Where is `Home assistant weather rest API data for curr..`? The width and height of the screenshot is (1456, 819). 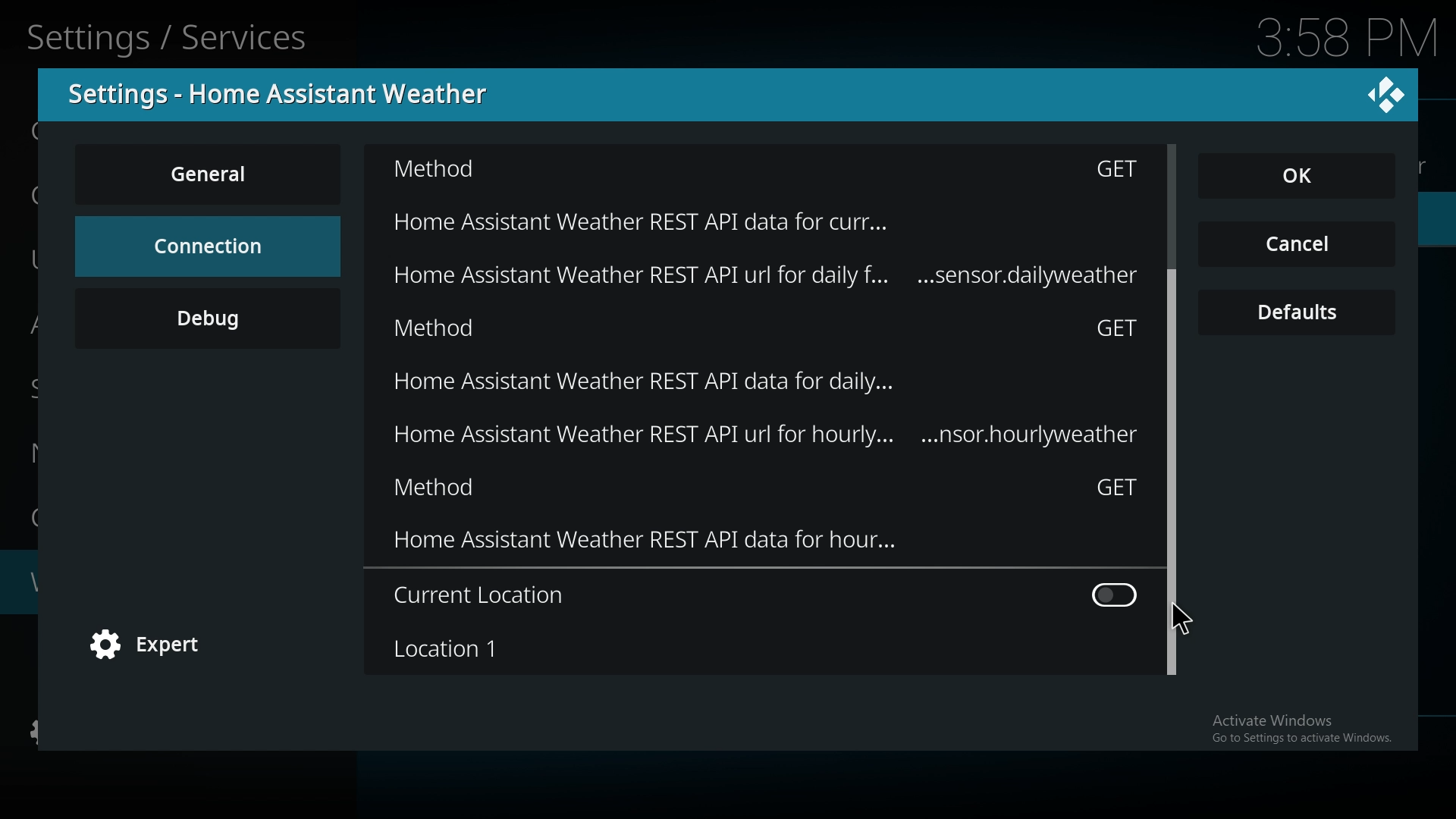
Home assistant weather rest API data for curr.. is located at coordinates (744, 219).